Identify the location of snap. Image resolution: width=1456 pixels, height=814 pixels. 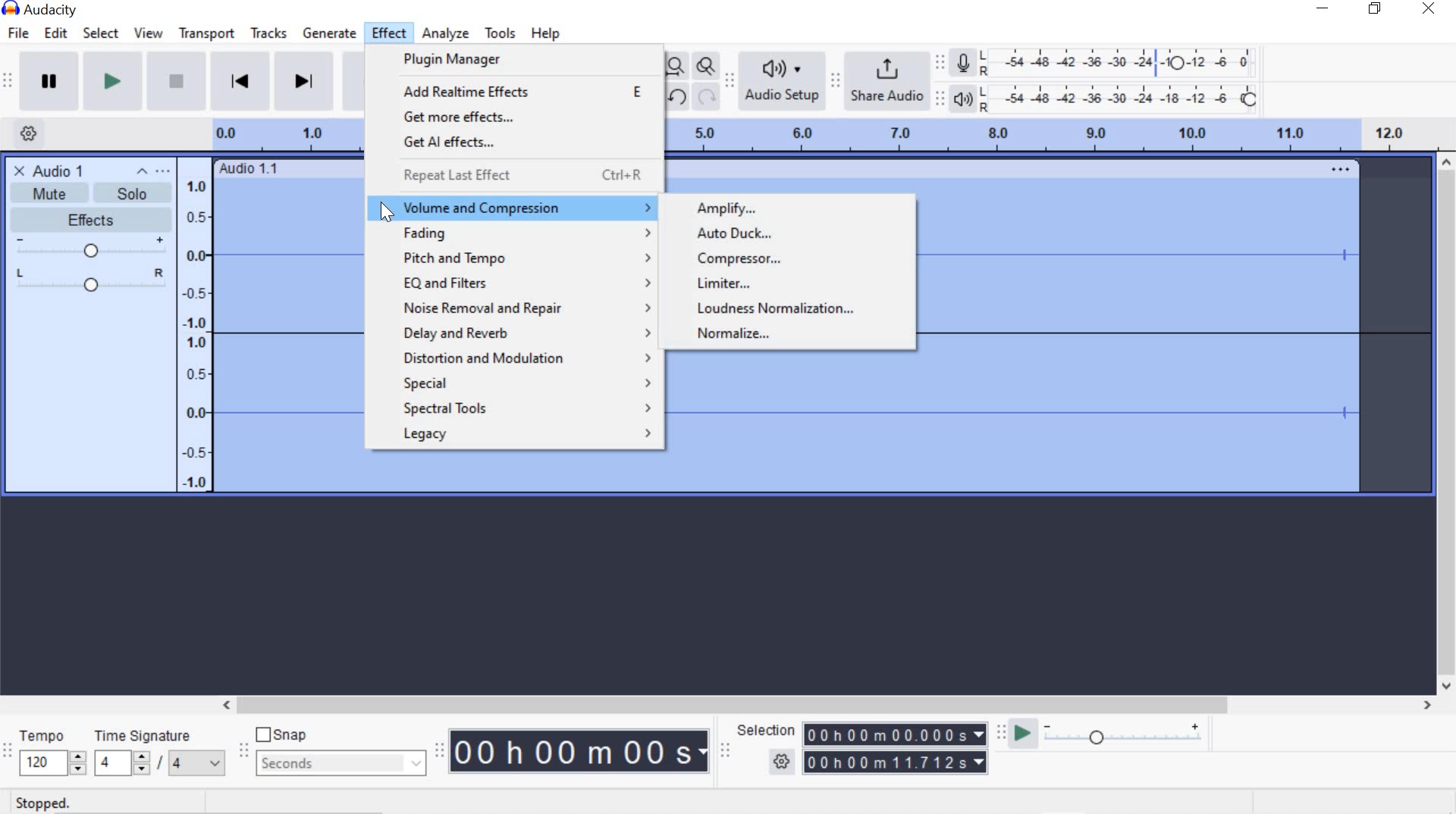
(287, 736).